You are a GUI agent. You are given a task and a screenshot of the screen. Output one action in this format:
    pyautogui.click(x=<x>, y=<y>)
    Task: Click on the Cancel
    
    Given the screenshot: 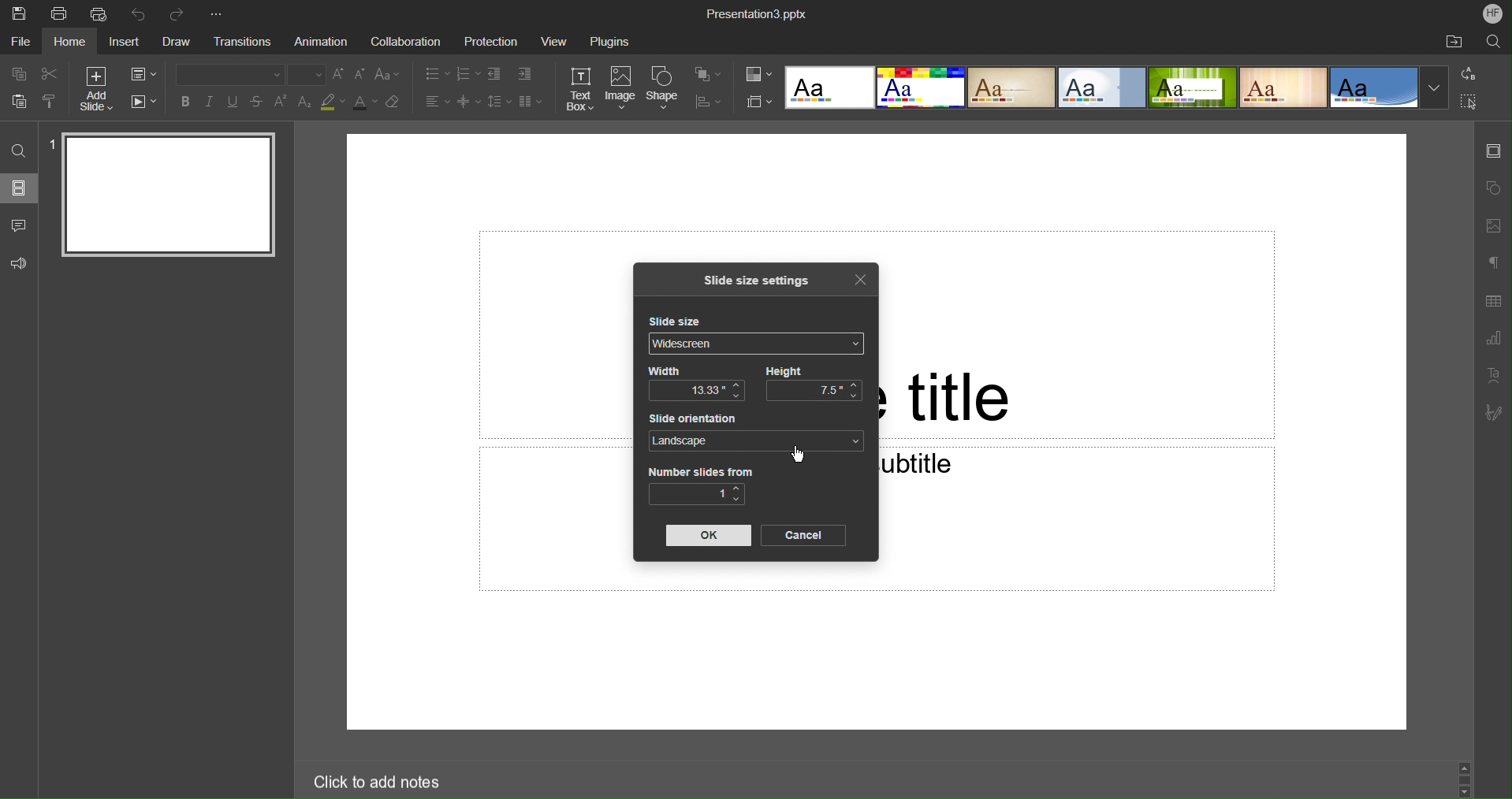 What is the action you would take?
    pyautogui.click(x=803, y=536)
    